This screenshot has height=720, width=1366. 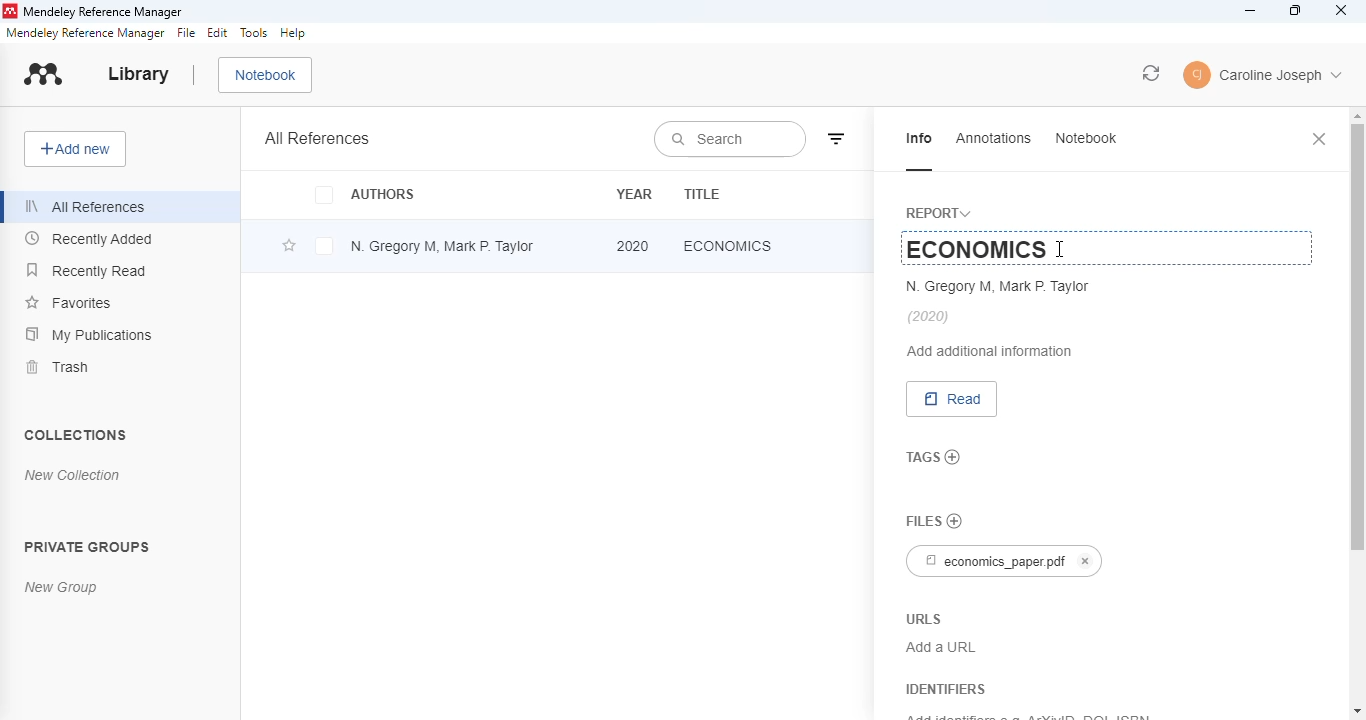 What do you see at coordinates (293, 33) in the screenshot?
I see `help` at bounding box center [293, 33].